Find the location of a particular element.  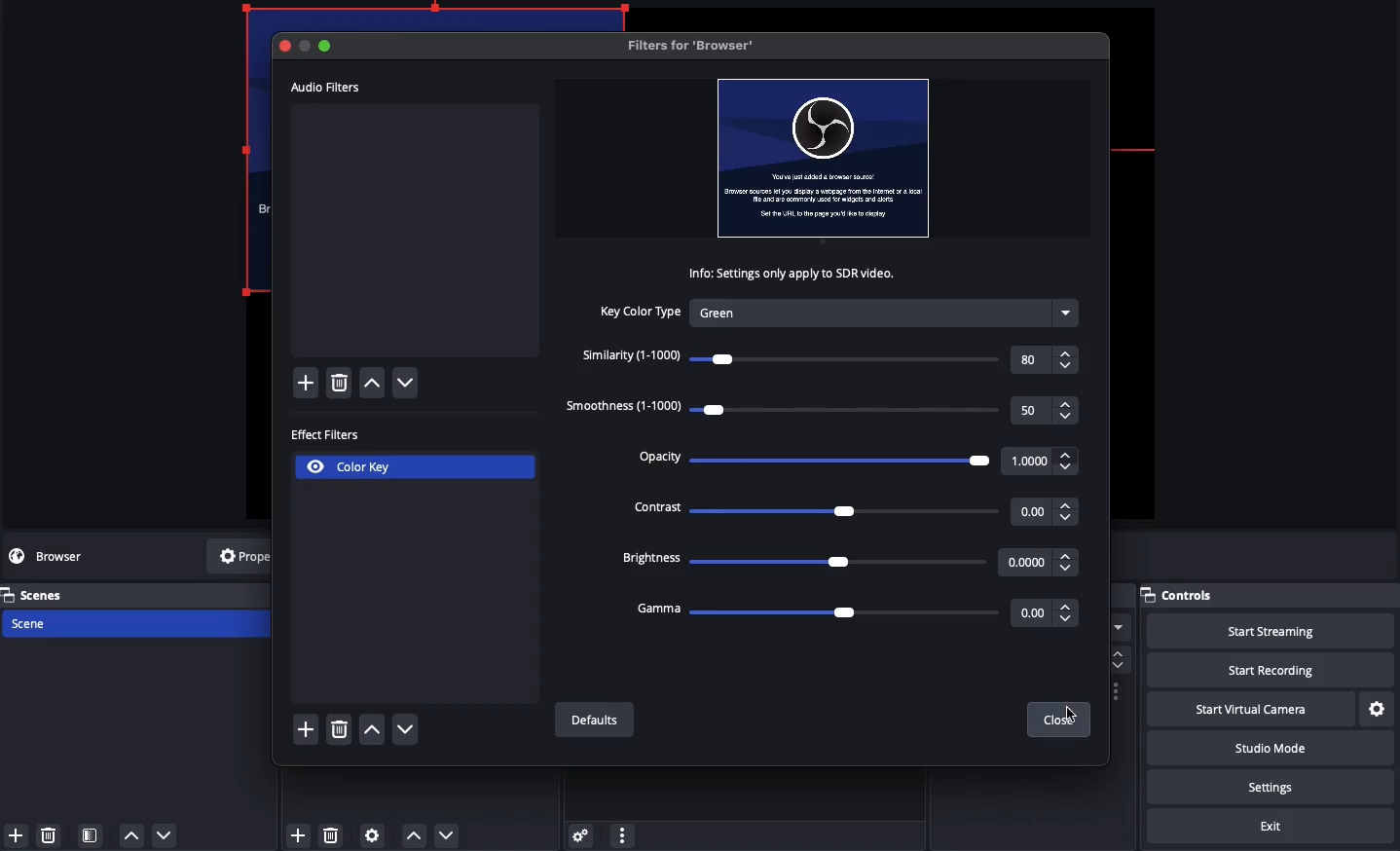

Close is located at coordinates (1060, 721).